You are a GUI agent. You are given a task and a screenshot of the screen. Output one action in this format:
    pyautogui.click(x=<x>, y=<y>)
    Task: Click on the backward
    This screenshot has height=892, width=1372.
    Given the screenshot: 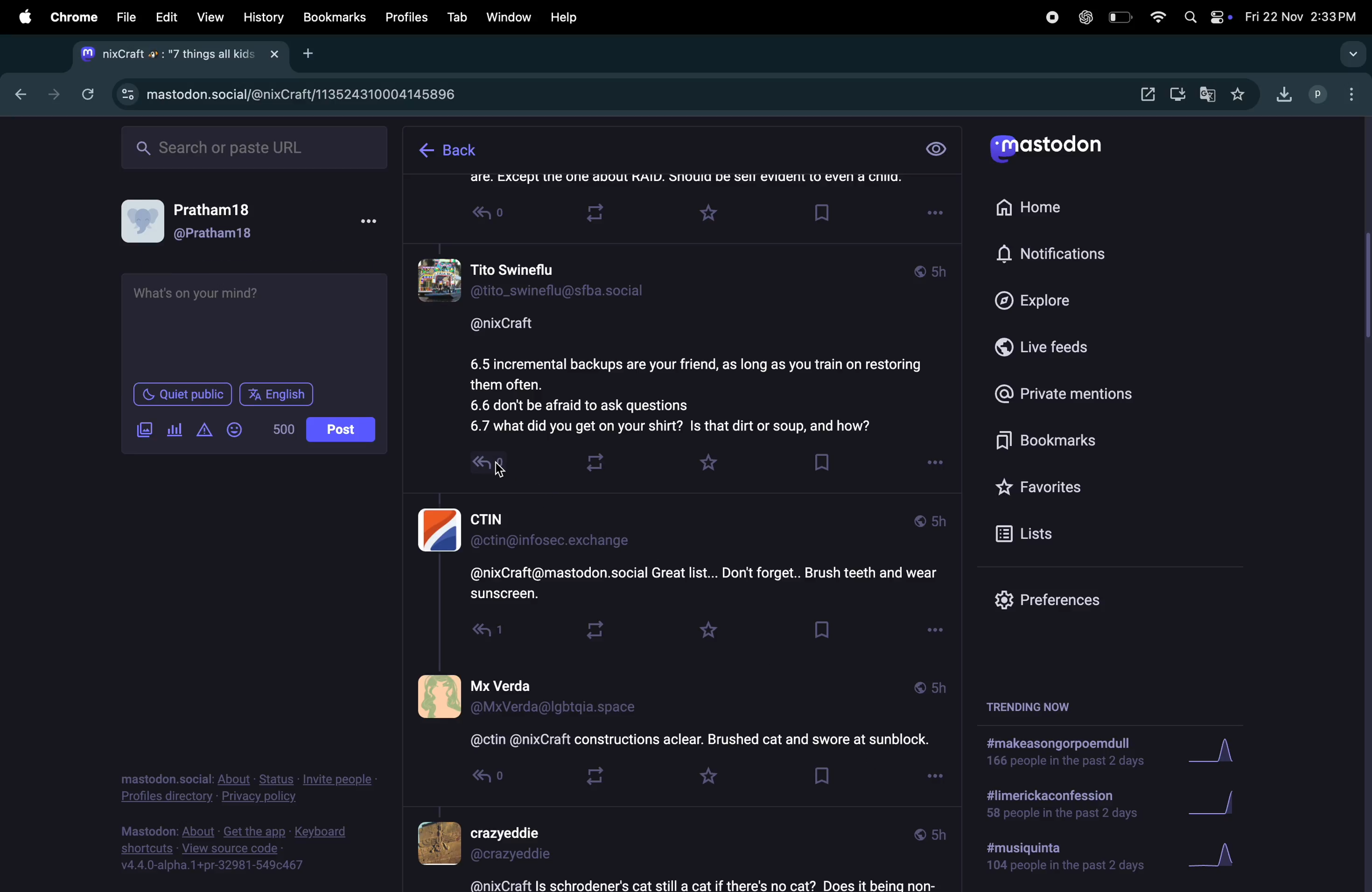 What is the action you would take?
    pyautogui.click(x=16, y=95)
    